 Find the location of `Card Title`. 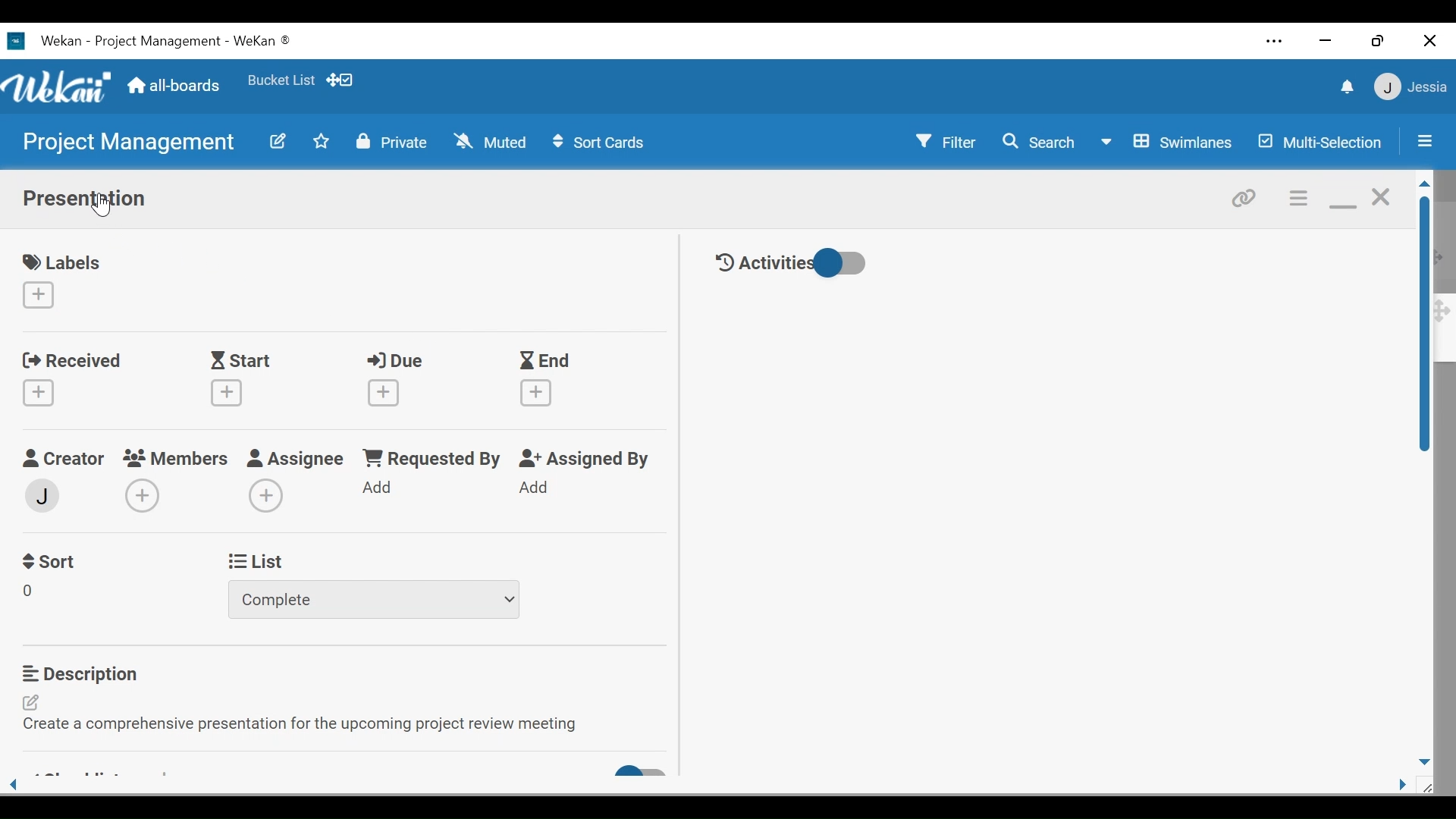

Card Title is located at coordinates (93, 198).